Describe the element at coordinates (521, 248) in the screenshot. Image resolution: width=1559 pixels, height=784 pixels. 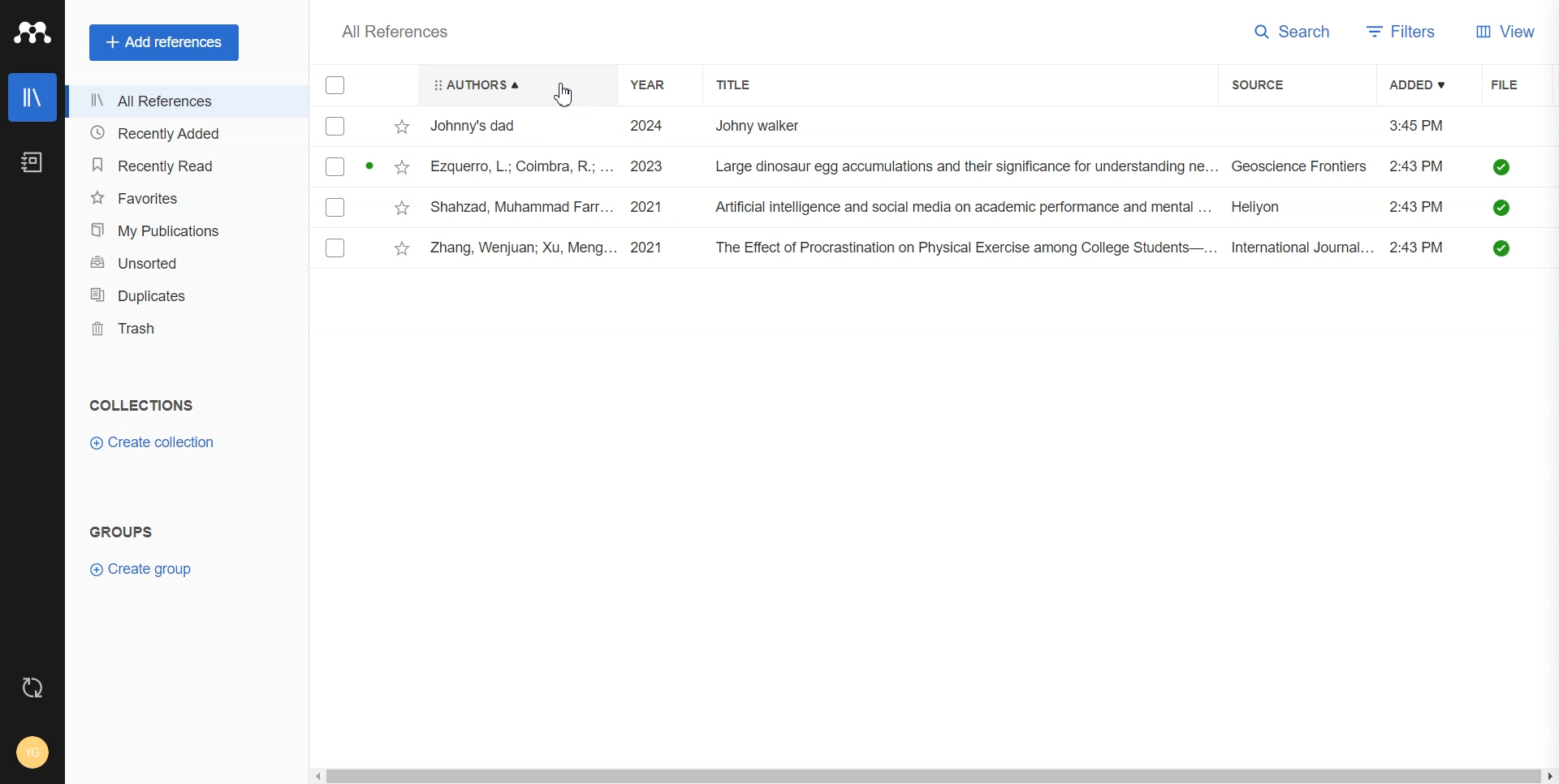
I see `Zhang, Wenjuan` at that location.